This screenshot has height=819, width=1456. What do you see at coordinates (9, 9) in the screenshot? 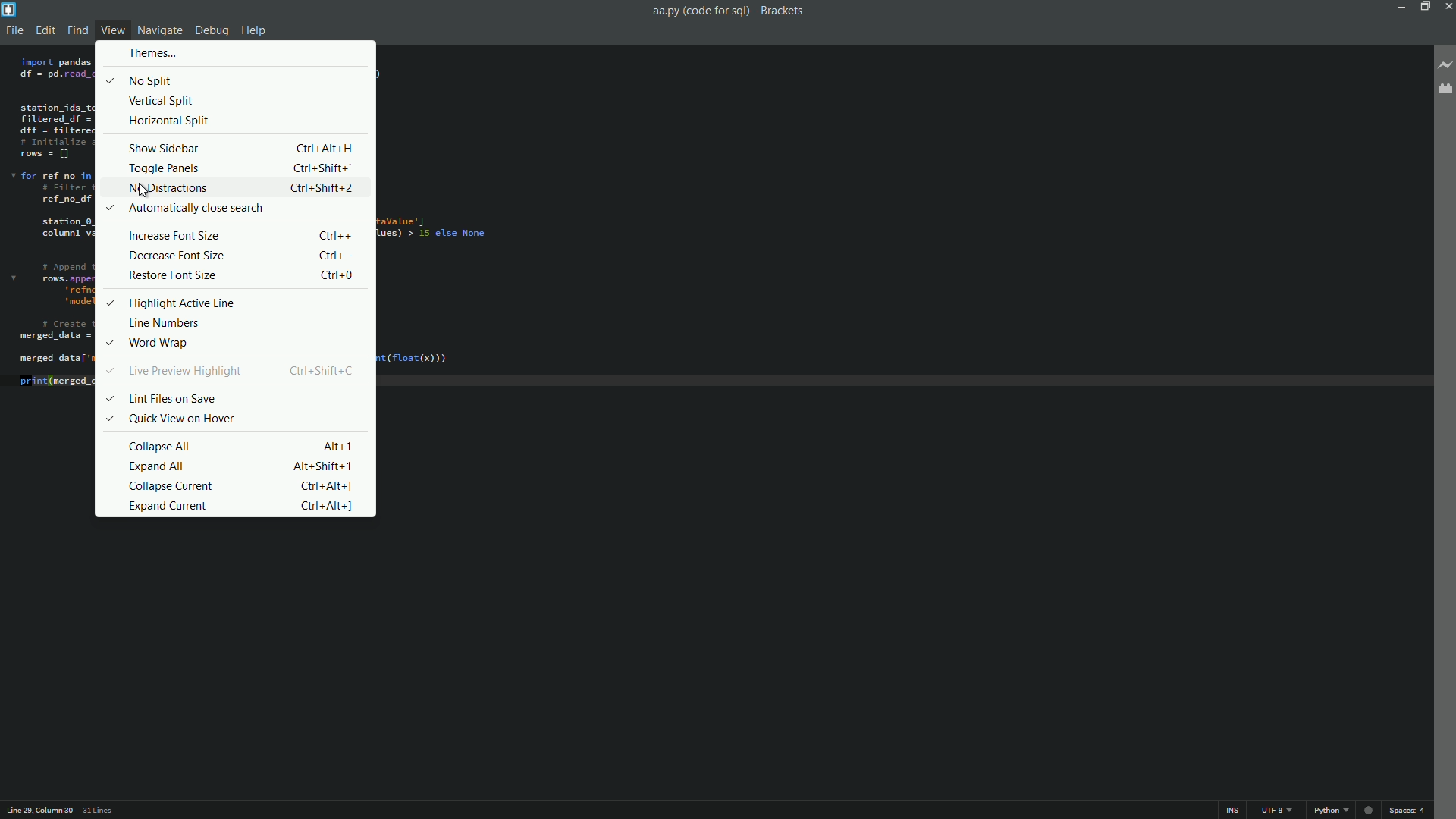
I see `app icon` at bounding box center [9, 9].